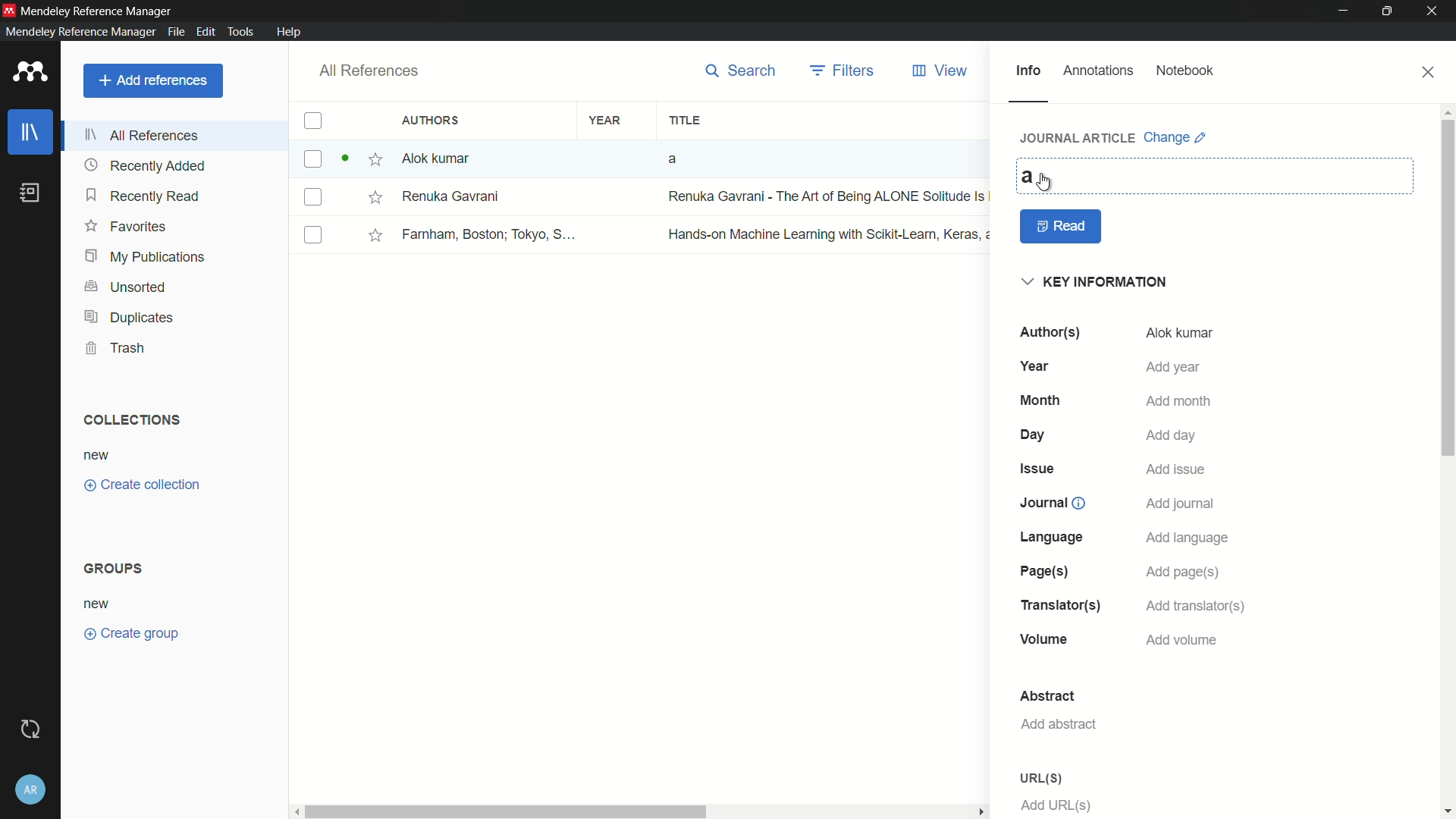  Describe the element at coordinates (143, 135) in the screenshot. I see `all references` at that location.